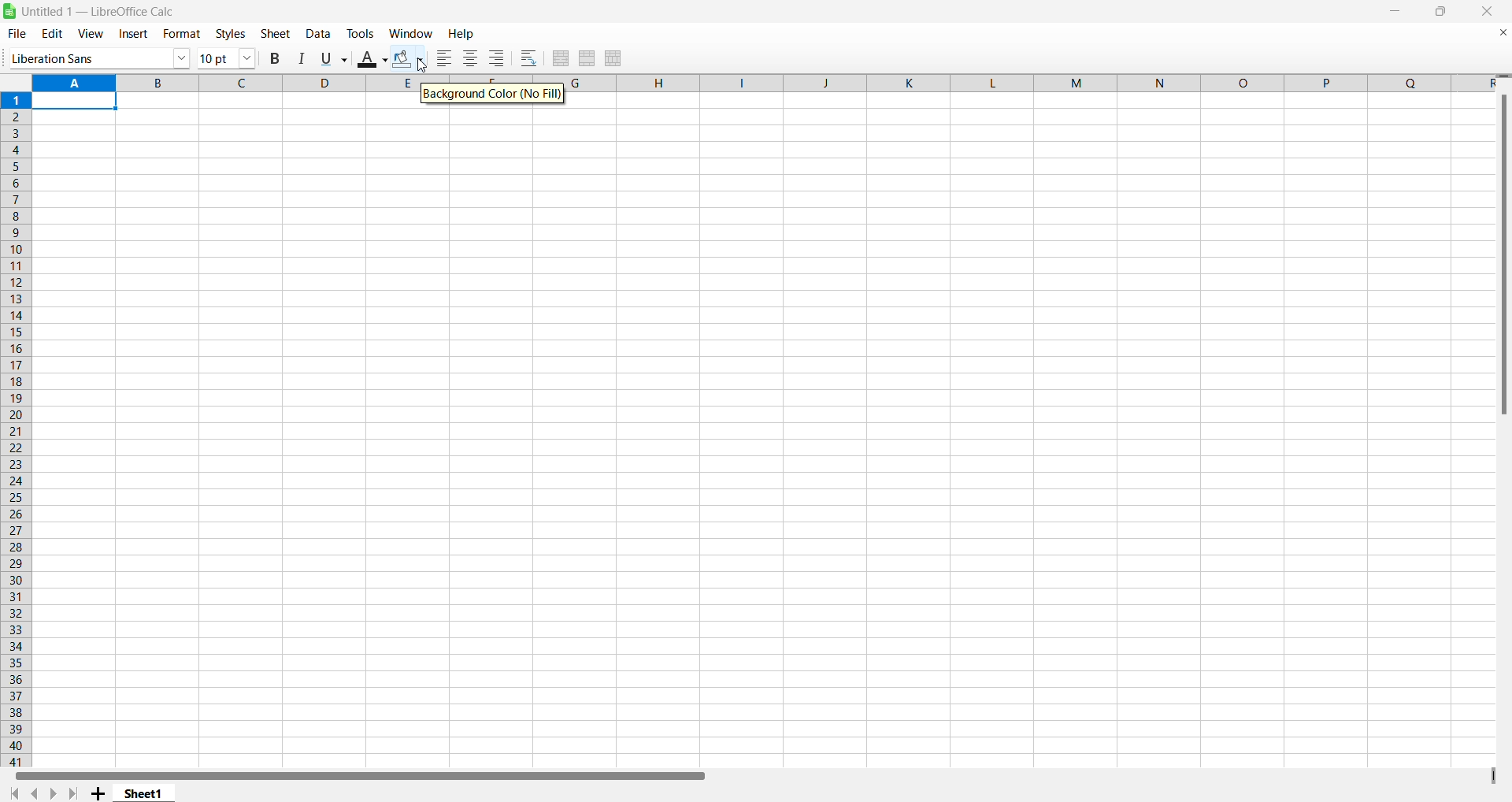 The height and width of the screenshot is (802, 1512). I want to click on merge, so click(588, 58).